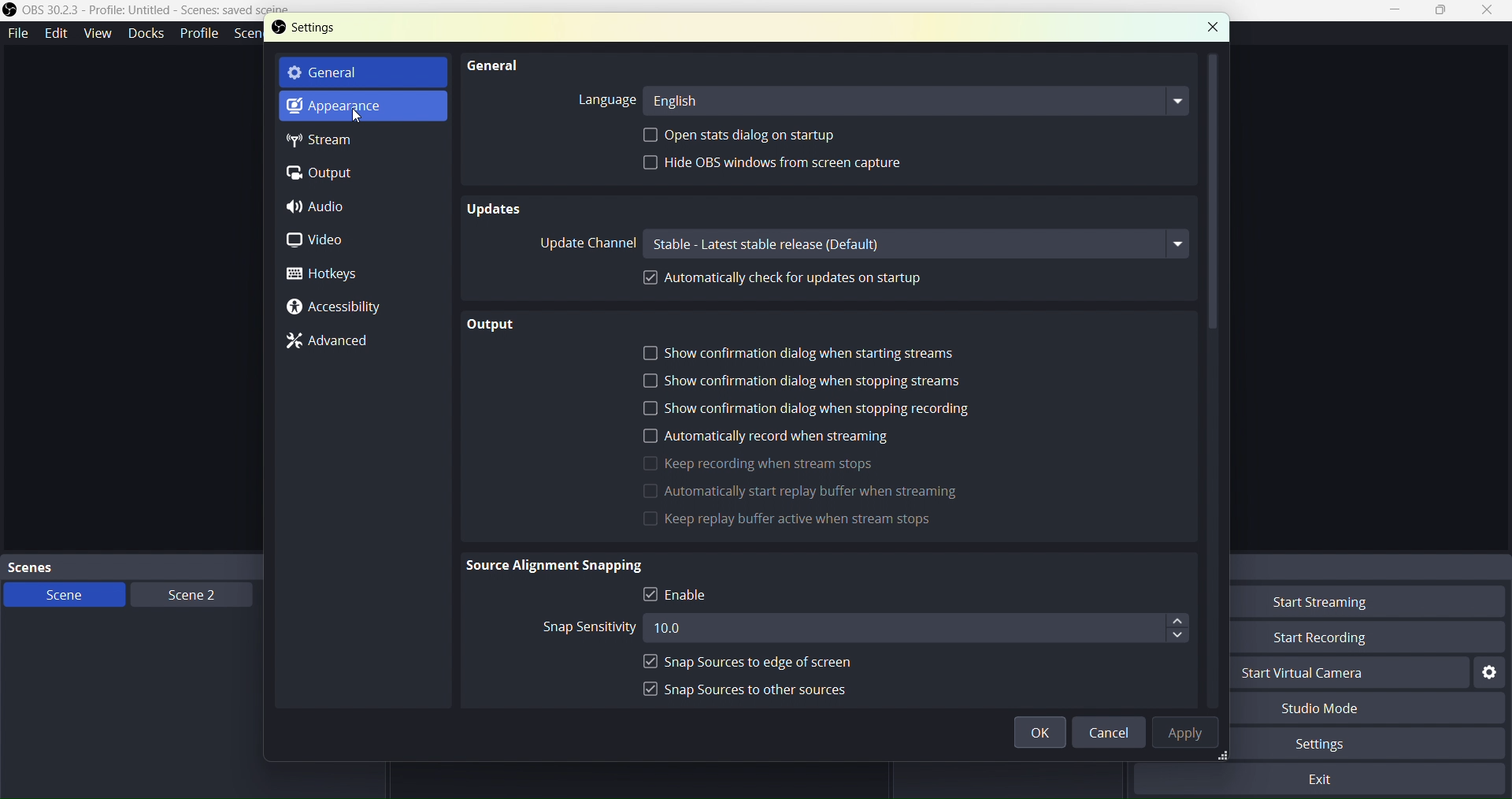 Image resolution: width=1512 pixels, height=799 pixels. Describe the element at coordinates (1348, 709) in the screenshot. I see `Studio Mode` at that location.